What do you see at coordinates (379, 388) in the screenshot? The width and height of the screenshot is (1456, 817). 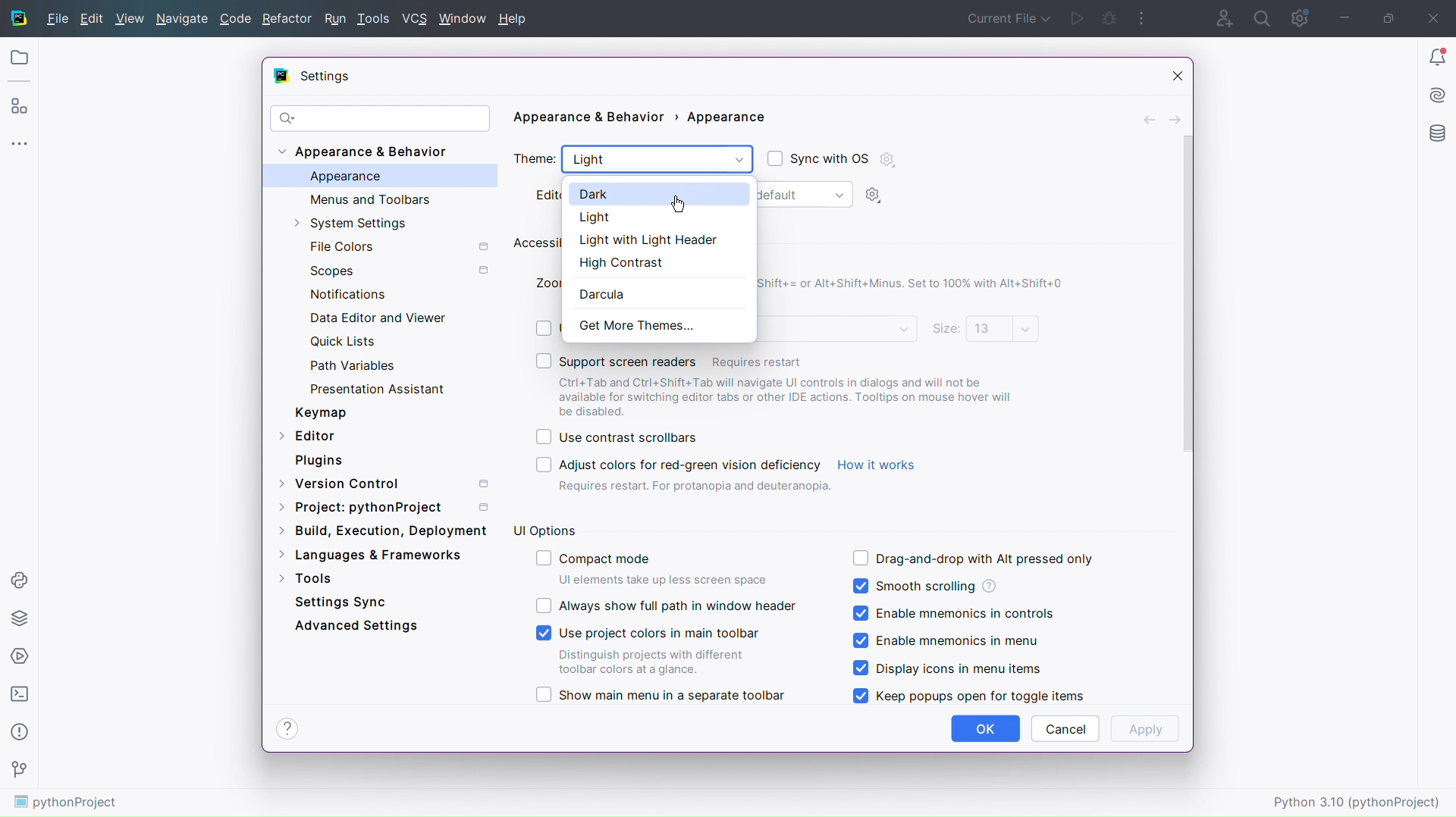 I see `Presentation Assistant` at bounding box center [379, 388].